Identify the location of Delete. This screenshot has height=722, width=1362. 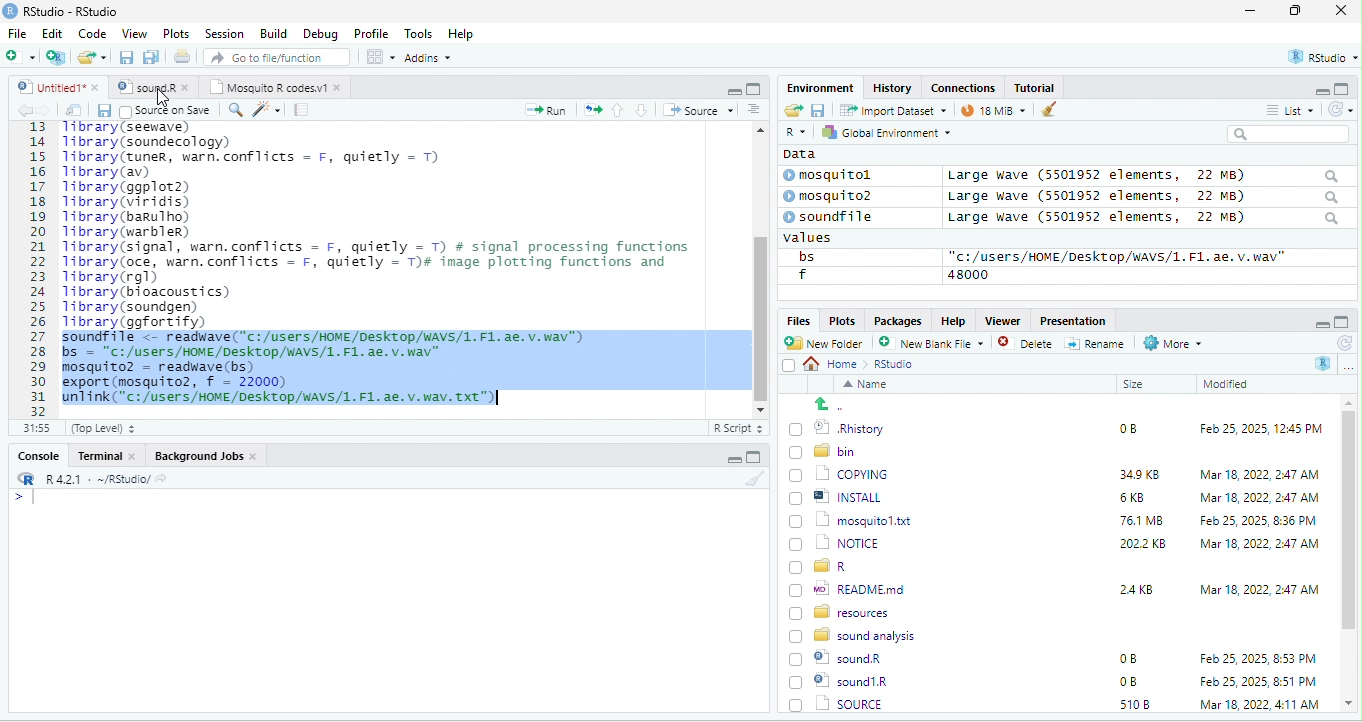
(1028, 344).